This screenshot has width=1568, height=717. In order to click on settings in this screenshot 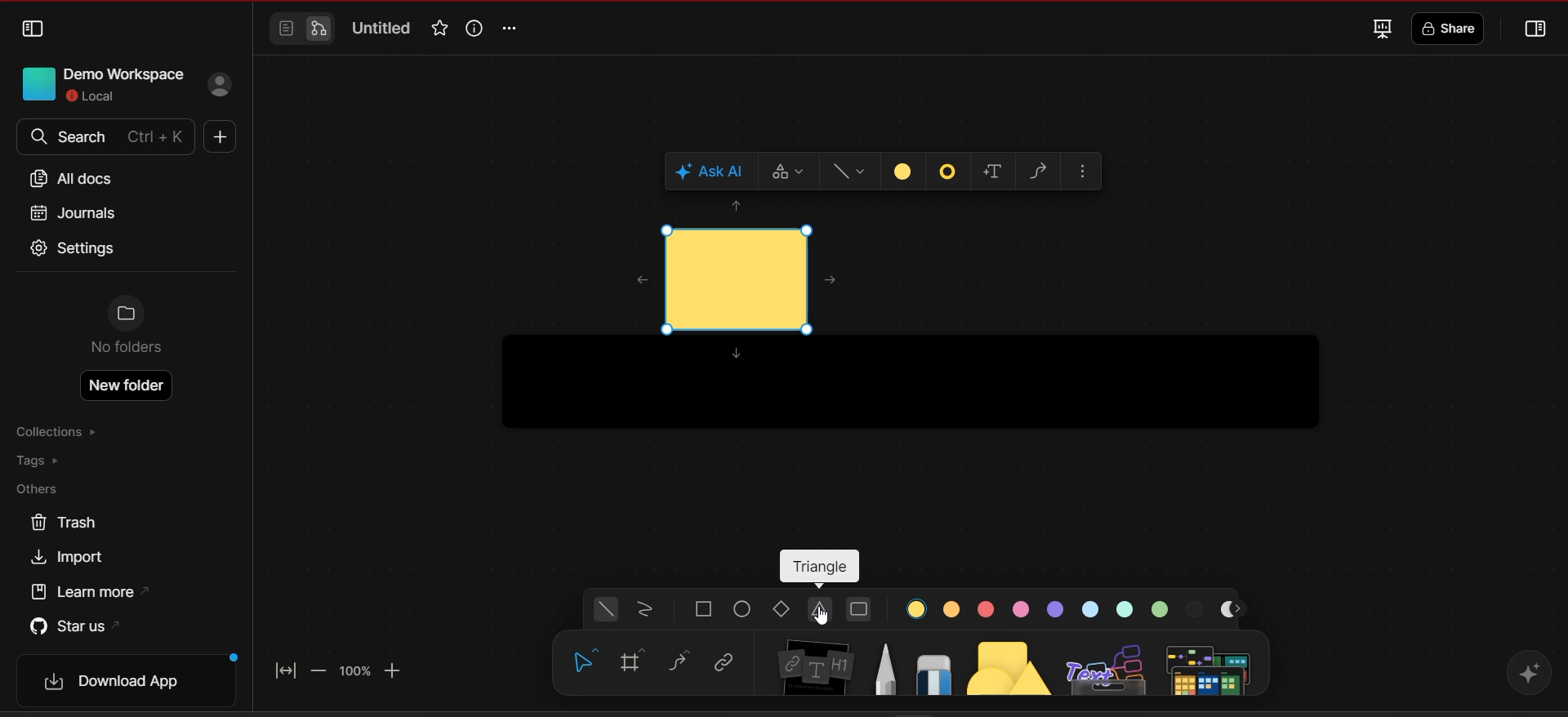, I will do `click(74, 250)`.